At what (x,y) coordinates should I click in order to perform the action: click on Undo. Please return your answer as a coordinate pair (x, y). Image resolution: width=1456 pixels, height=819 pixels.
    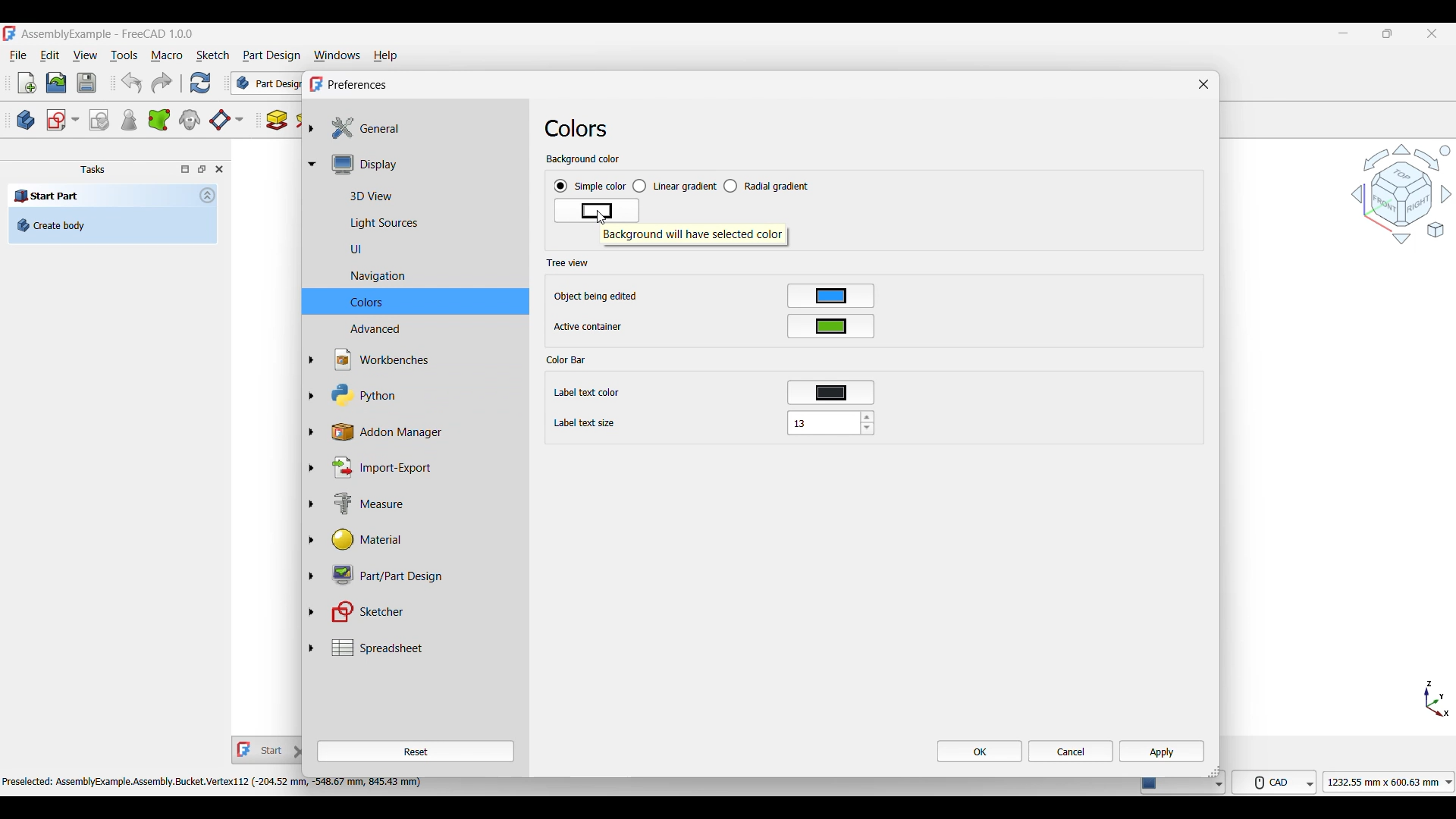
    Looking at the image, I should click on (131, 83).